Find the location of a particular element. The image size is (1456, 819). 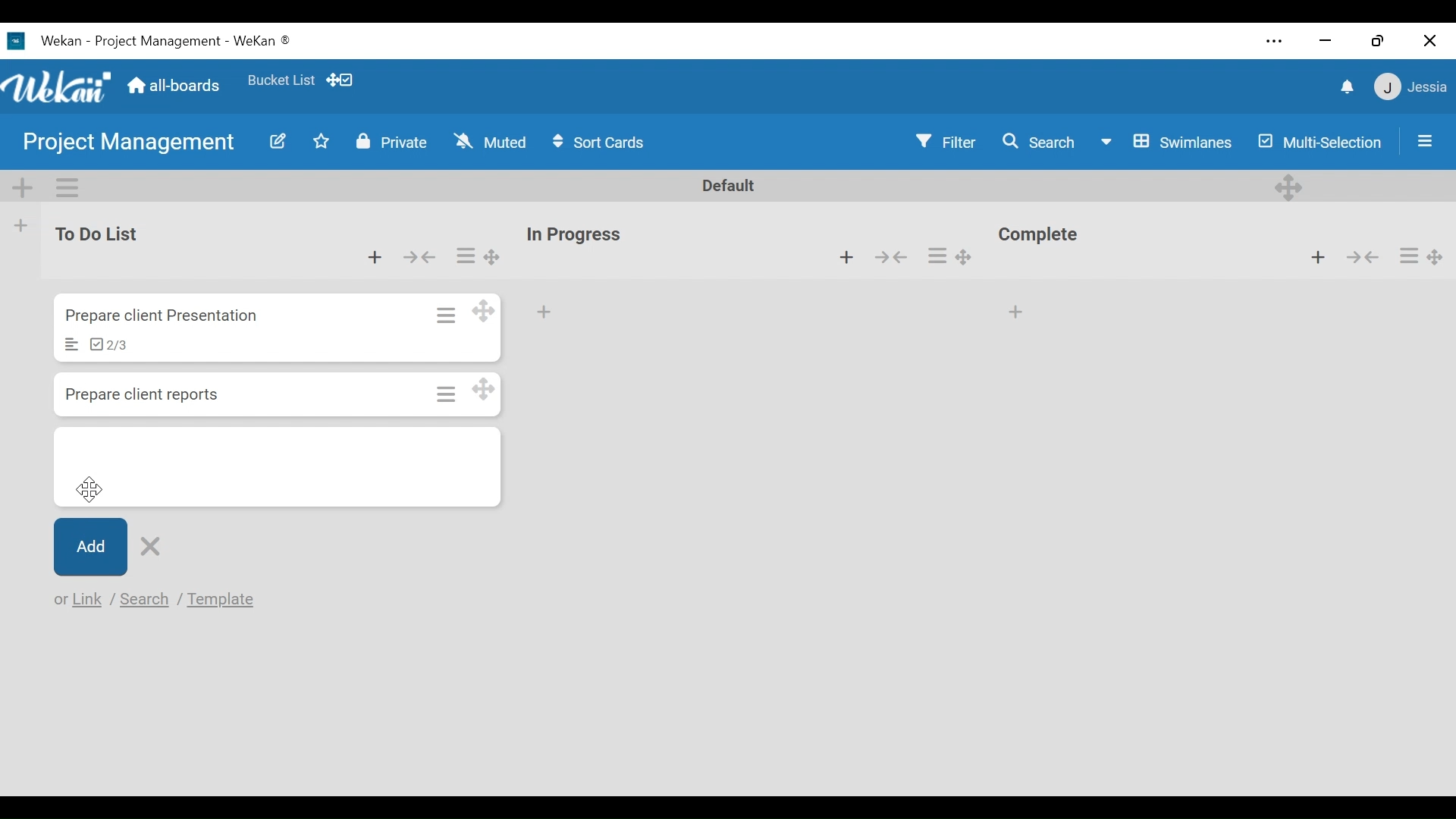

Add card to bottom of the list is located at coordinates (1018, 308).